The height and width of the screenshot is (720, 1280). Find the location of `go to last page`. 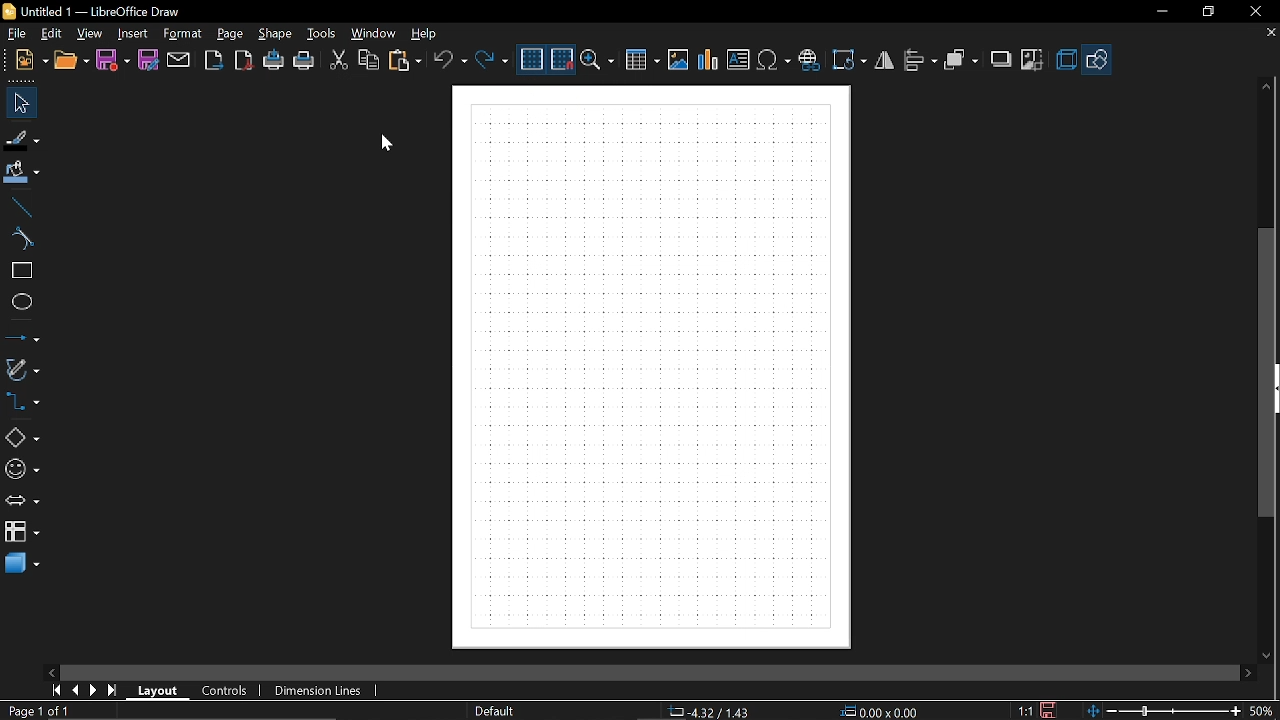

go to last page is located at coordinates (114, 690).